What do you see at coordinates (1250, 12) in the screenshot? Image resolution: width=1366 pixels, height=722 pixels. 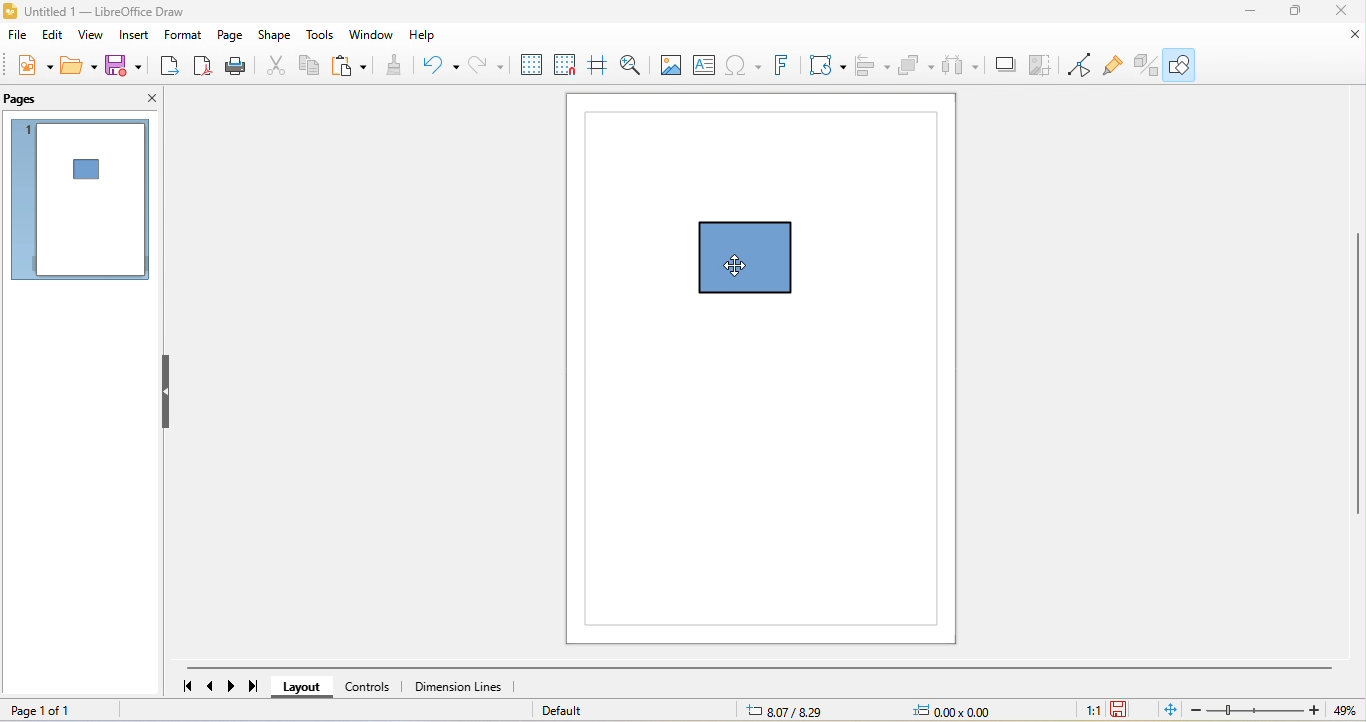 I see `minimize` at bounding box center [1250, 12].